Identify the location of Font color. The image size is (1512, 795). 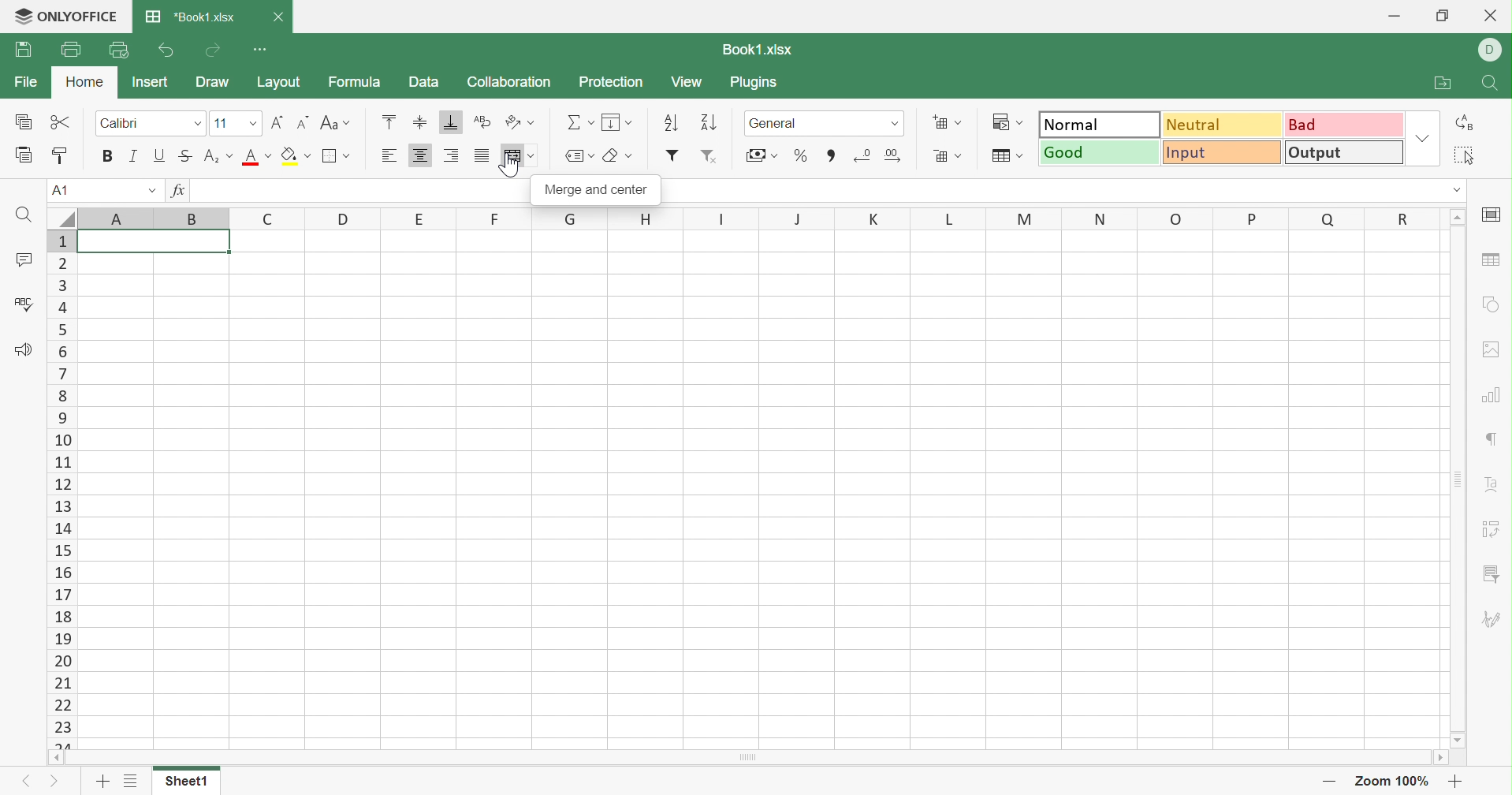
(255, 157).